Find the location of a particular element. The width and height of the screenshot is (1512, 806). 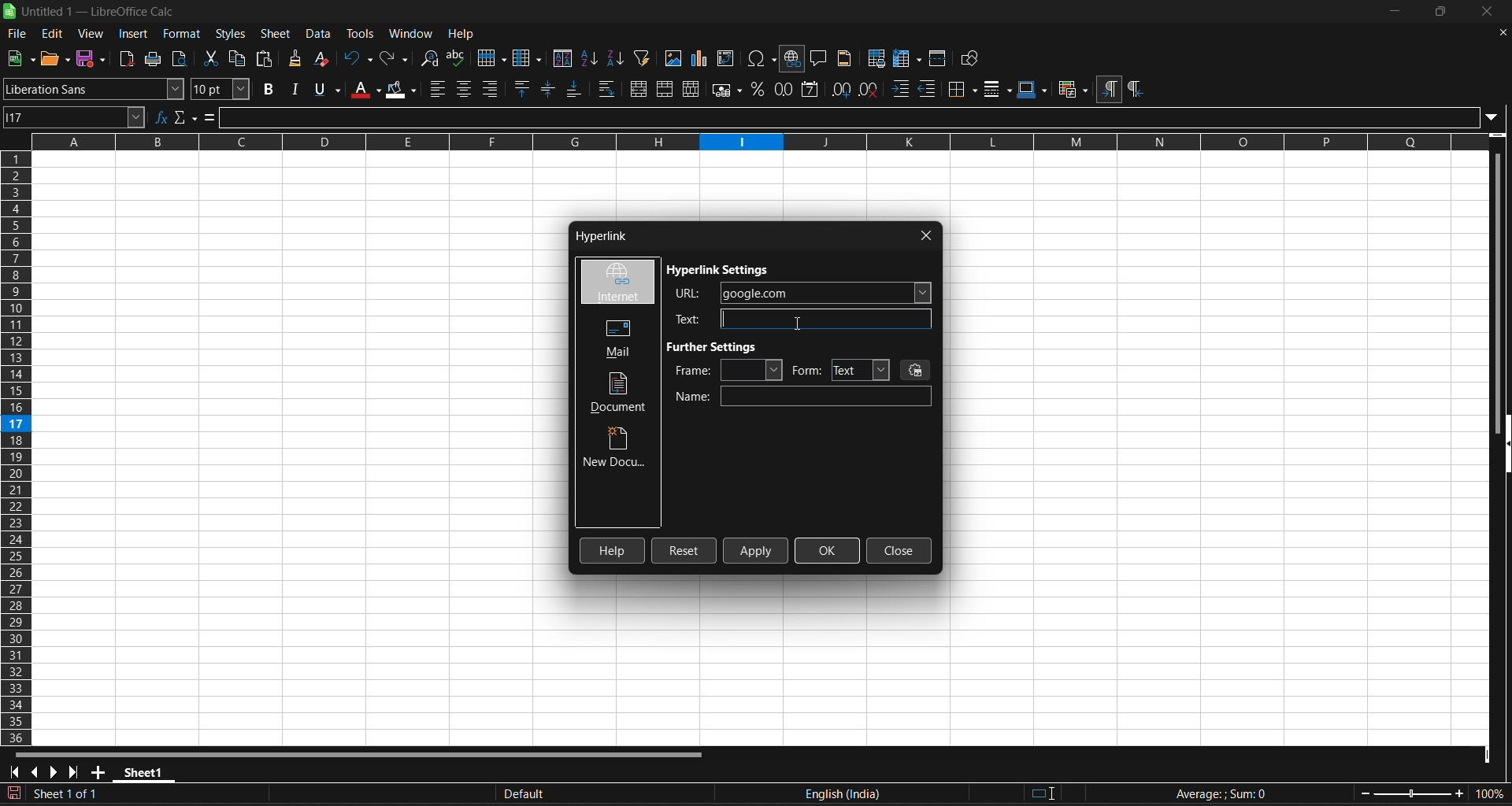

internet is located at coordinates (617, 283).